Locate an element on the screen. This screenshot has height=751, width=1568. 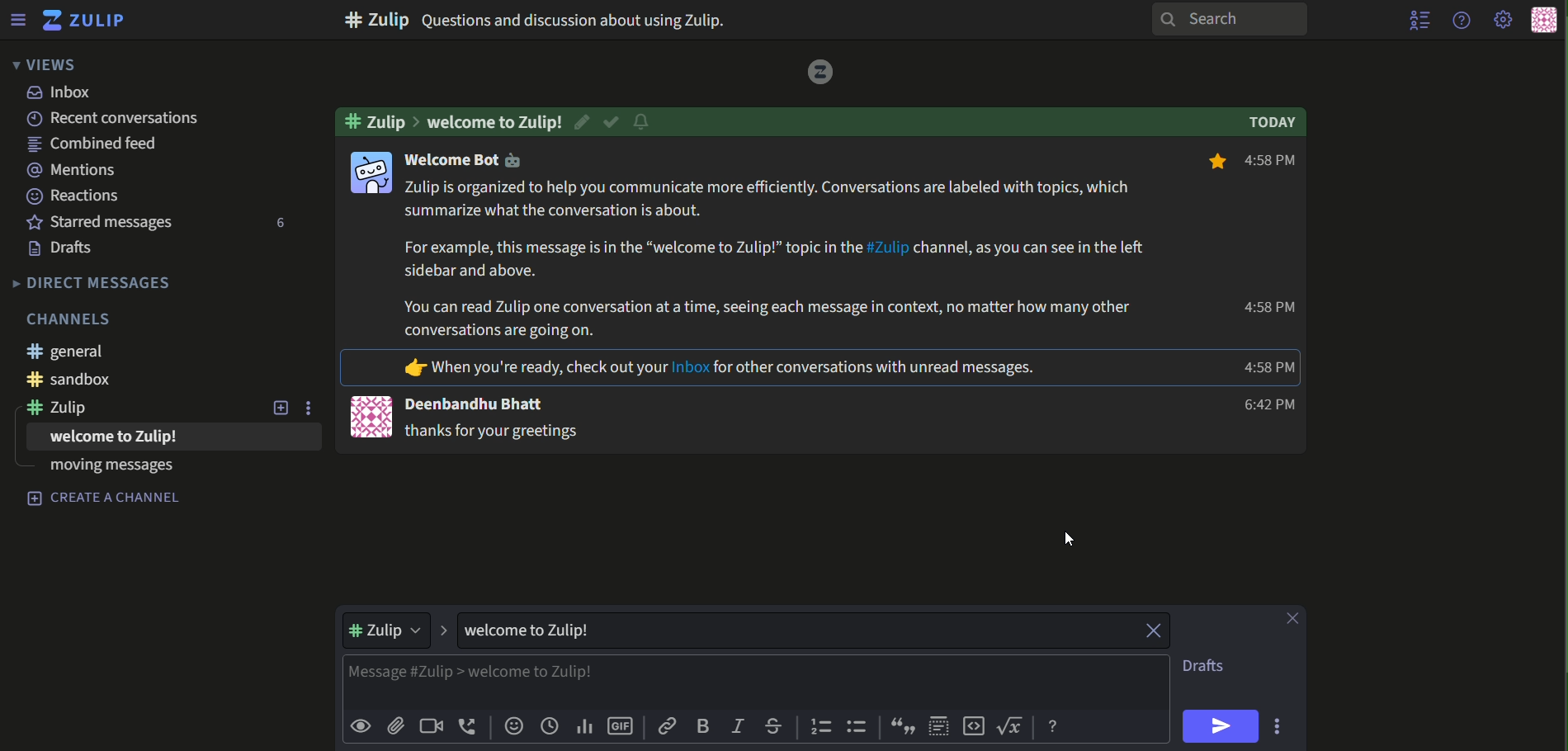
options is located at coordinates (314, 408).